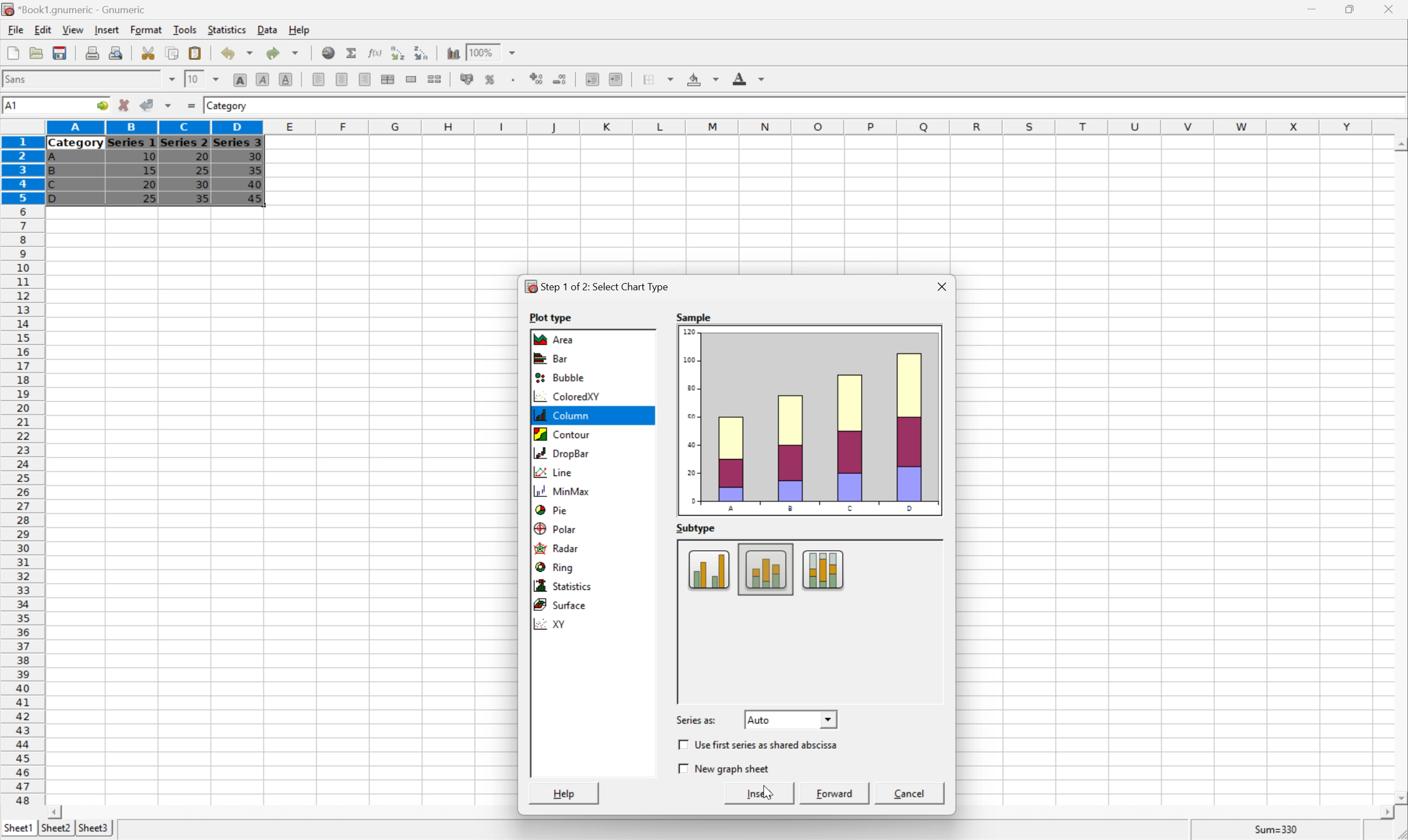  What do you see at coordinates (149, 170) in the screenshot?
I see `15` at bounding box center [149, 170].